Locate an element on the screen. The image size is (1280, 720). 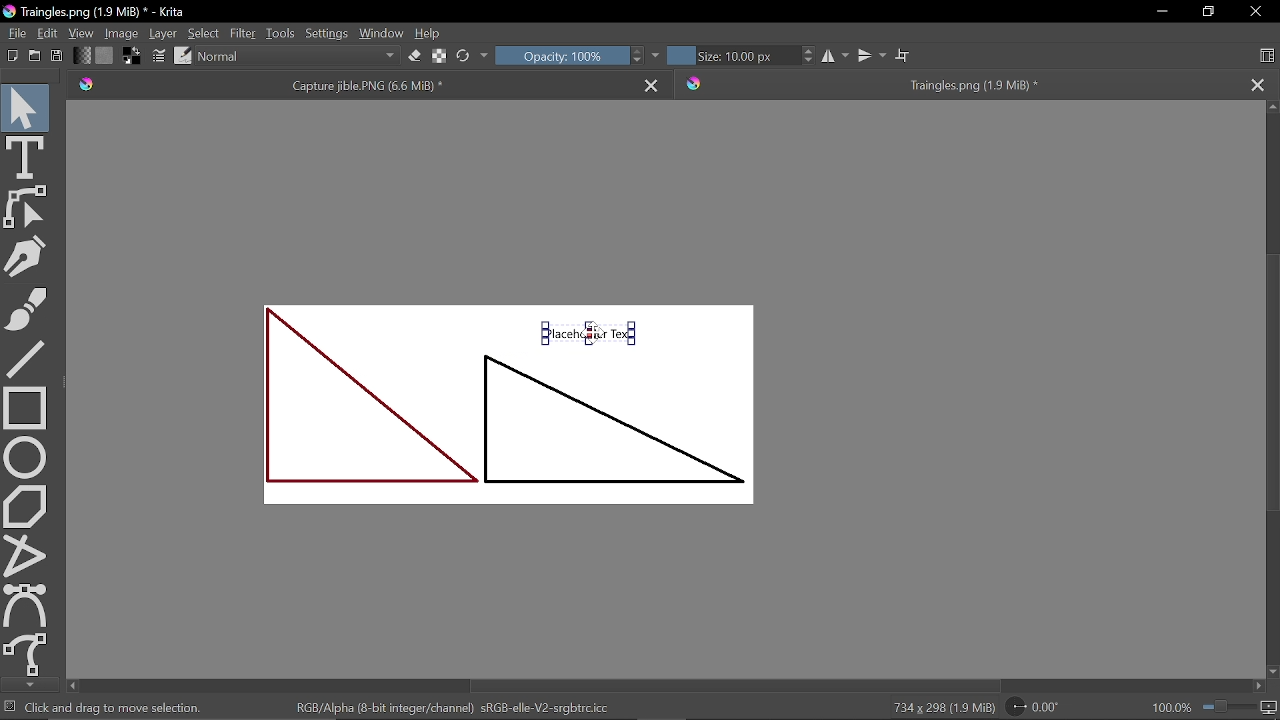
Choose brush preset is located at coordinates (182, 56).